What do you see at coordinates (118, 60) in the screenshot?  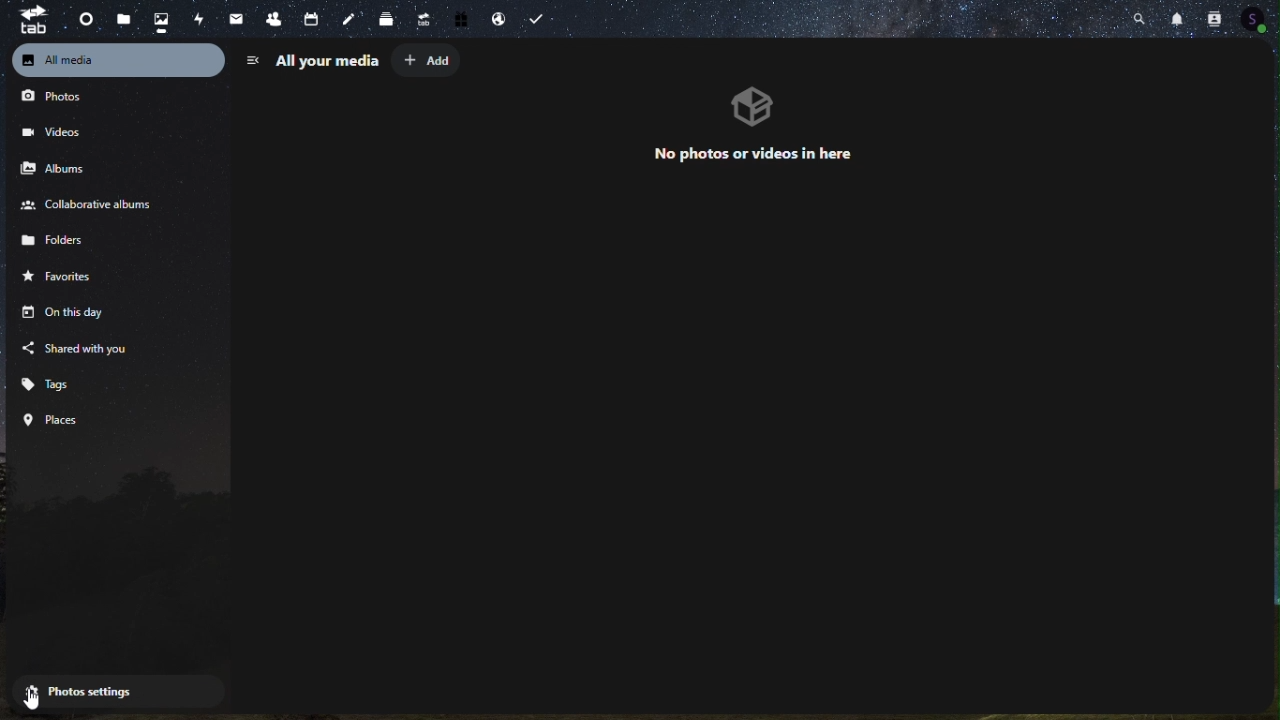 I see `All media ` at bounding box center [118, 60].